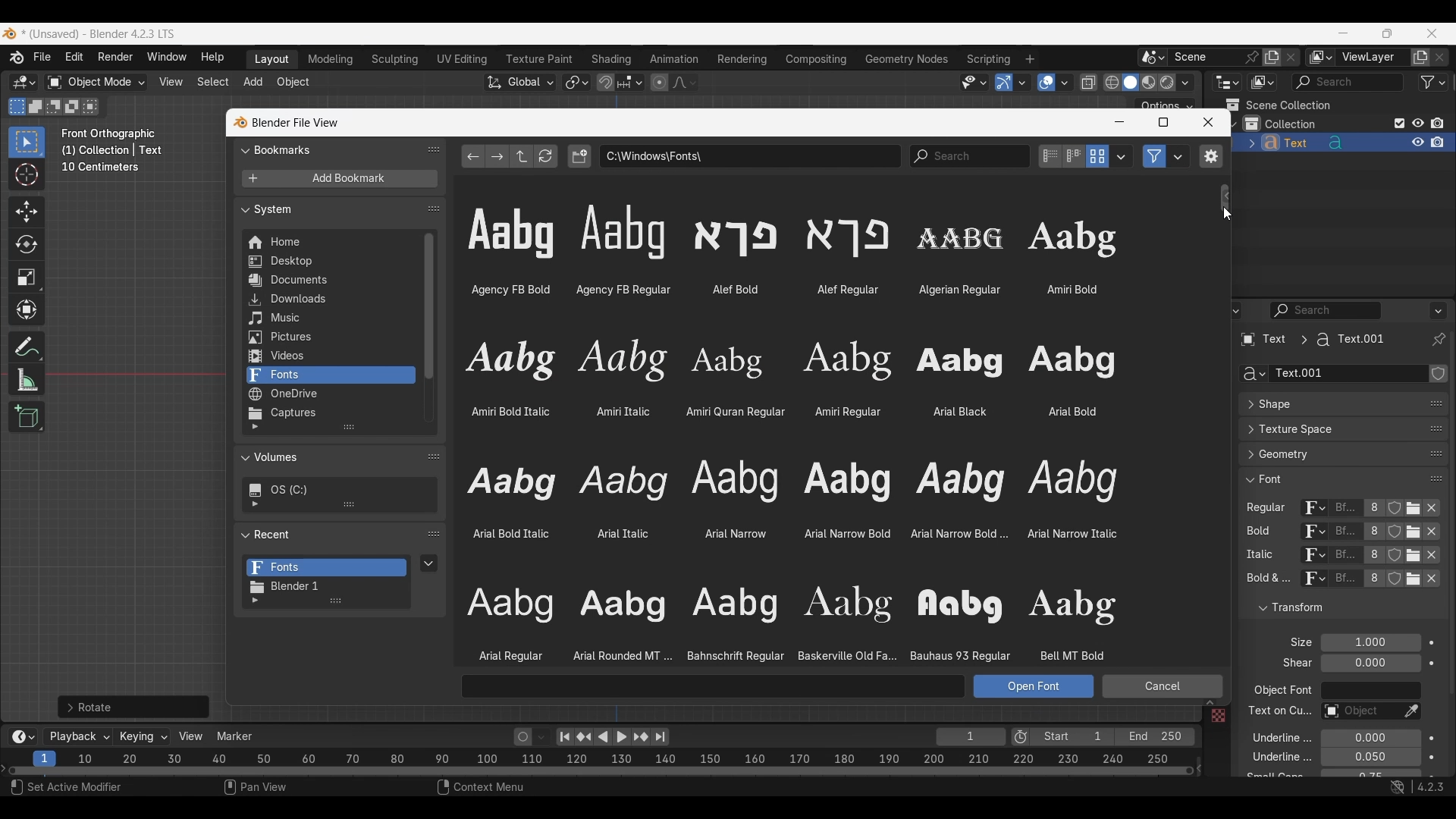 Image resolution: width=1456 pixels, height=819 pixels. Describe the element at coordinates (1345, 532) in the screenshot. I see `name of current font` at that location.